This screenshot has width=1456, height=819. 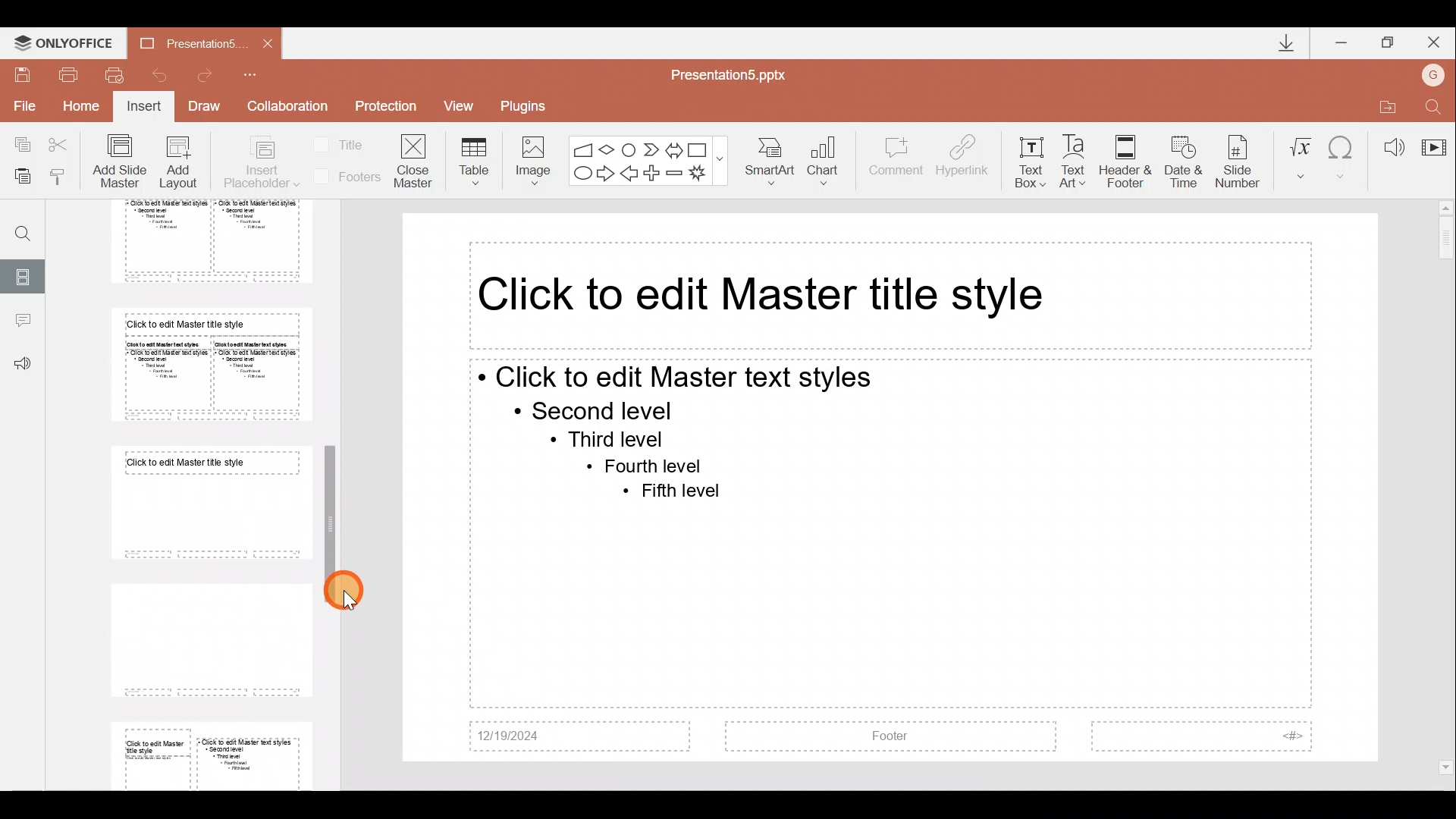 What do you see at coordinates (114, 76) in the screenshot?
I see `Quick print` at bounding box center [114, 76].